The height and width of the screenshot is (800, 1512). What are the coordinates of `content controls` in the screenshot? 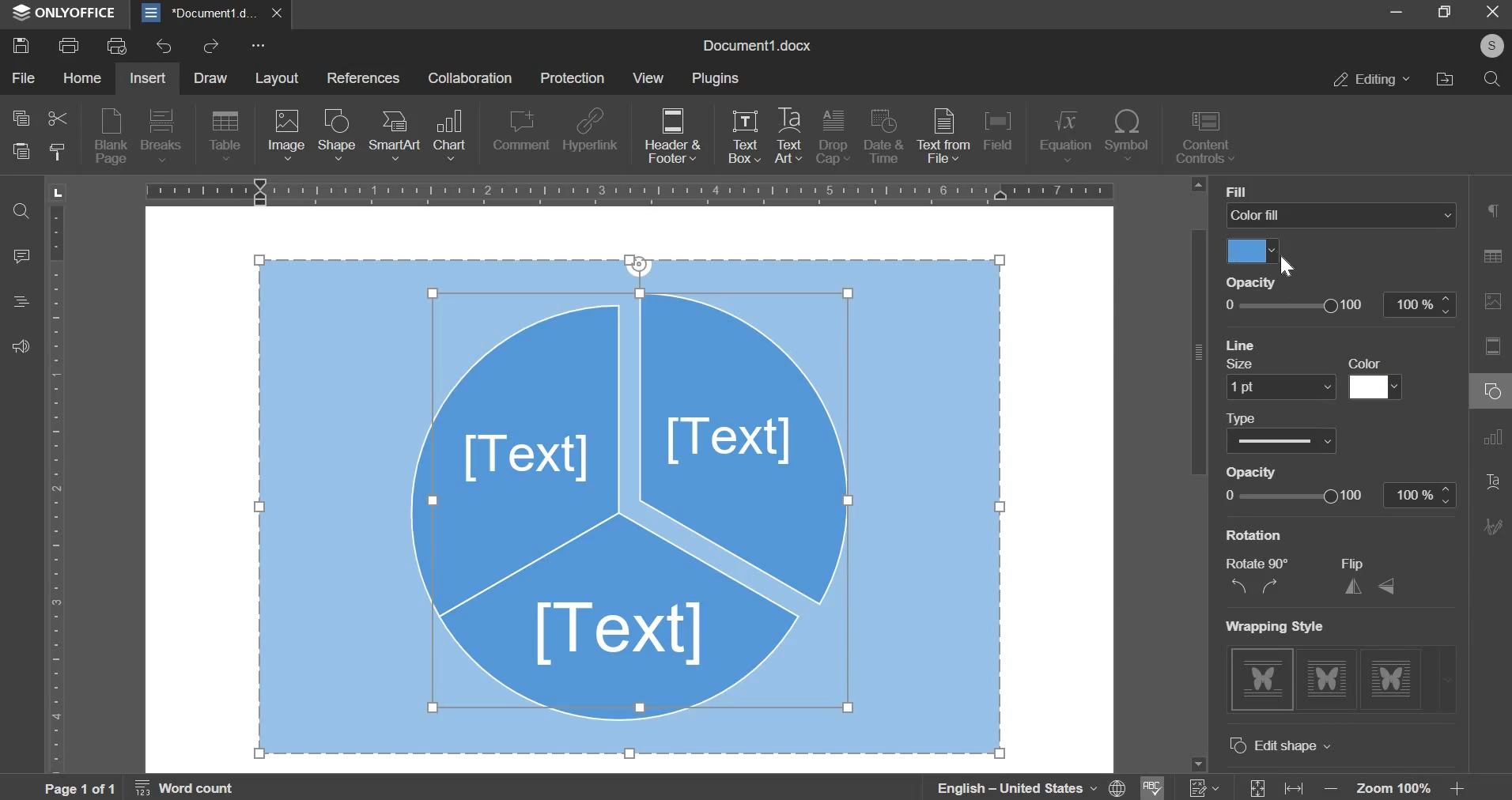 It's located at (1210, 138).